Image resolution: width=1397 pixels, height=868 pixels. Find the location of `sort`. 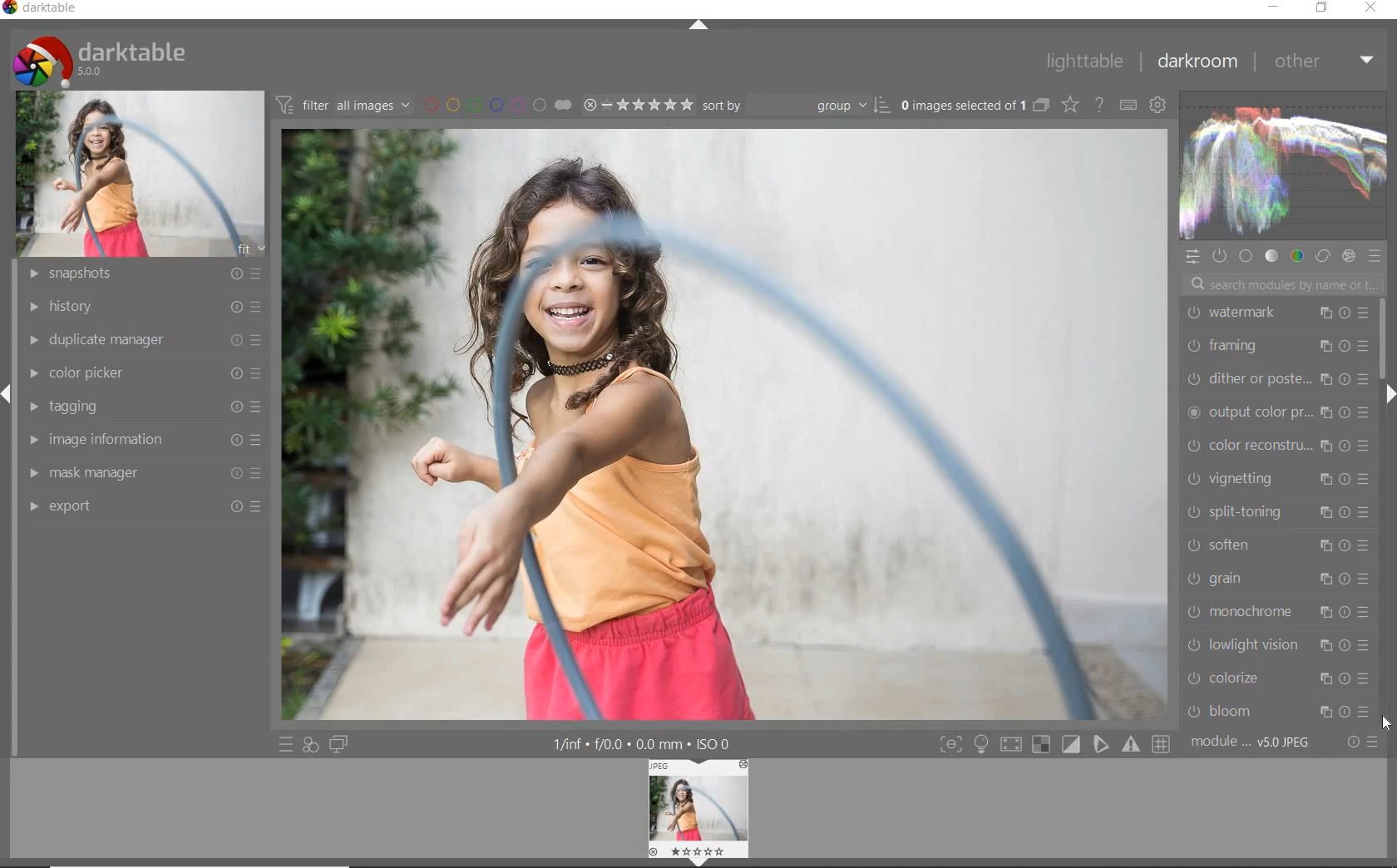

sort is located at coordinates (796, 104).